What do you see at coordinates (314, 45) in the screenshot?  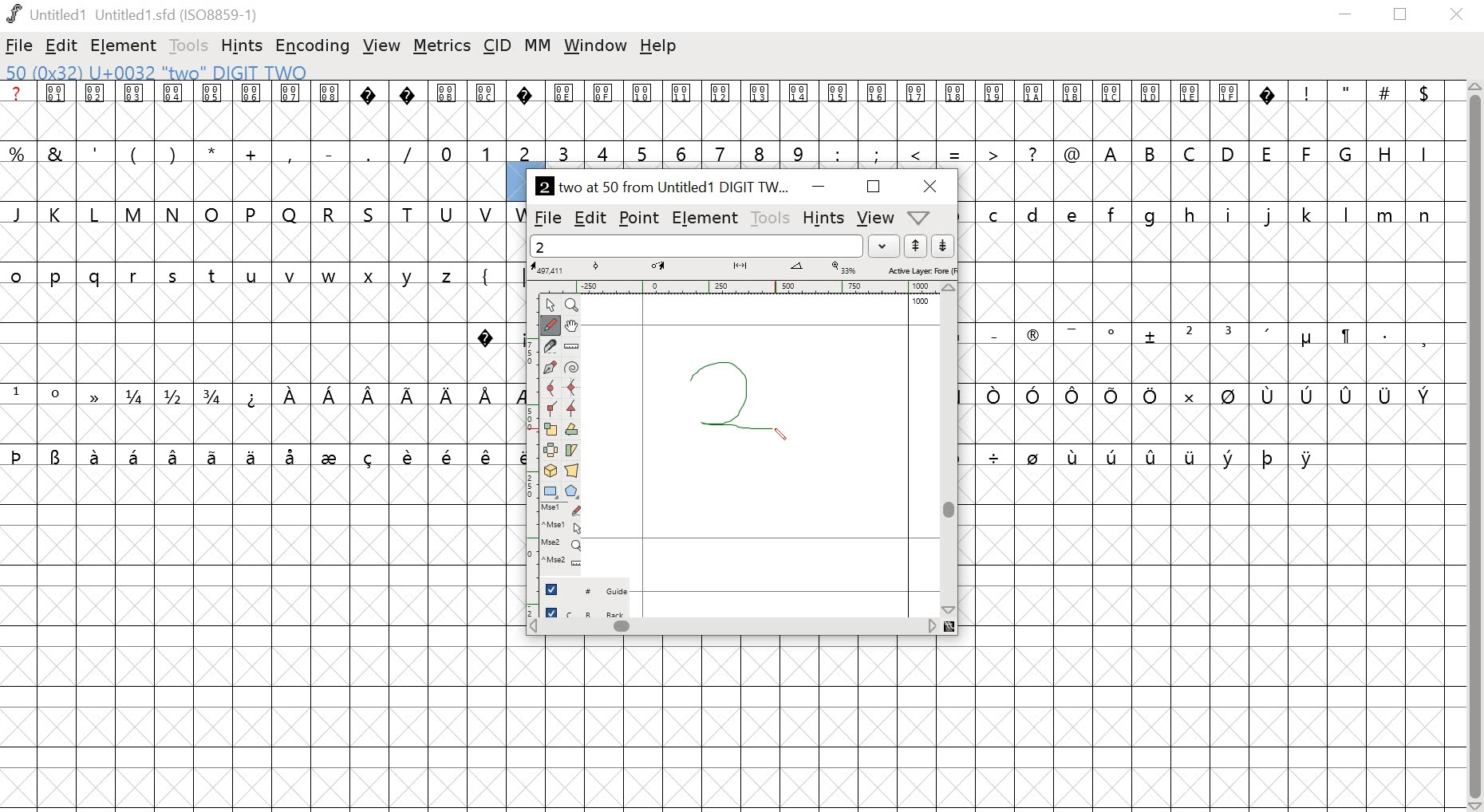 I see `encoding` at bounding box center [314, 45].